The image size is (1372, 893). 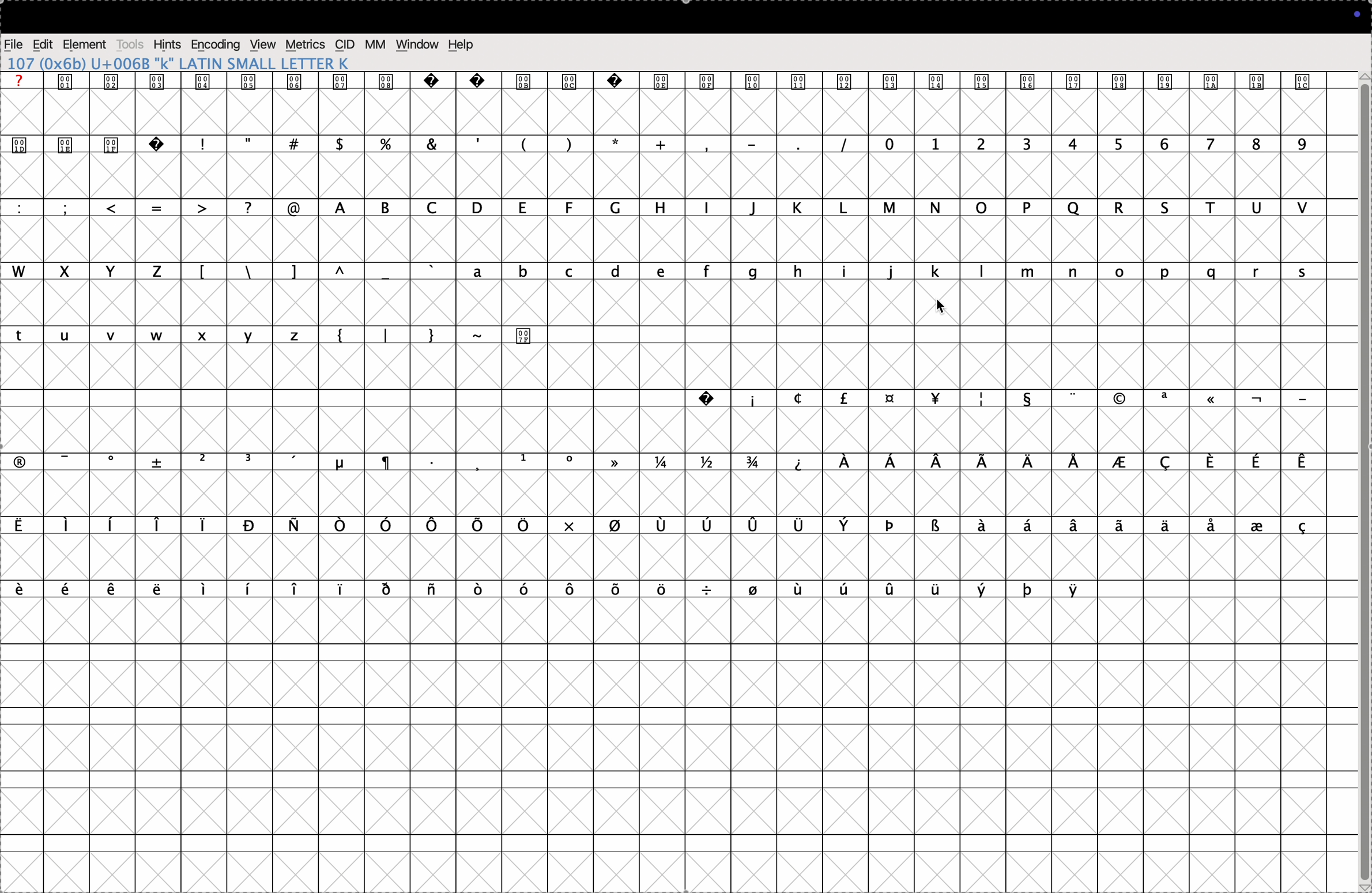 I want to click on i, so click(x=708, y=206).